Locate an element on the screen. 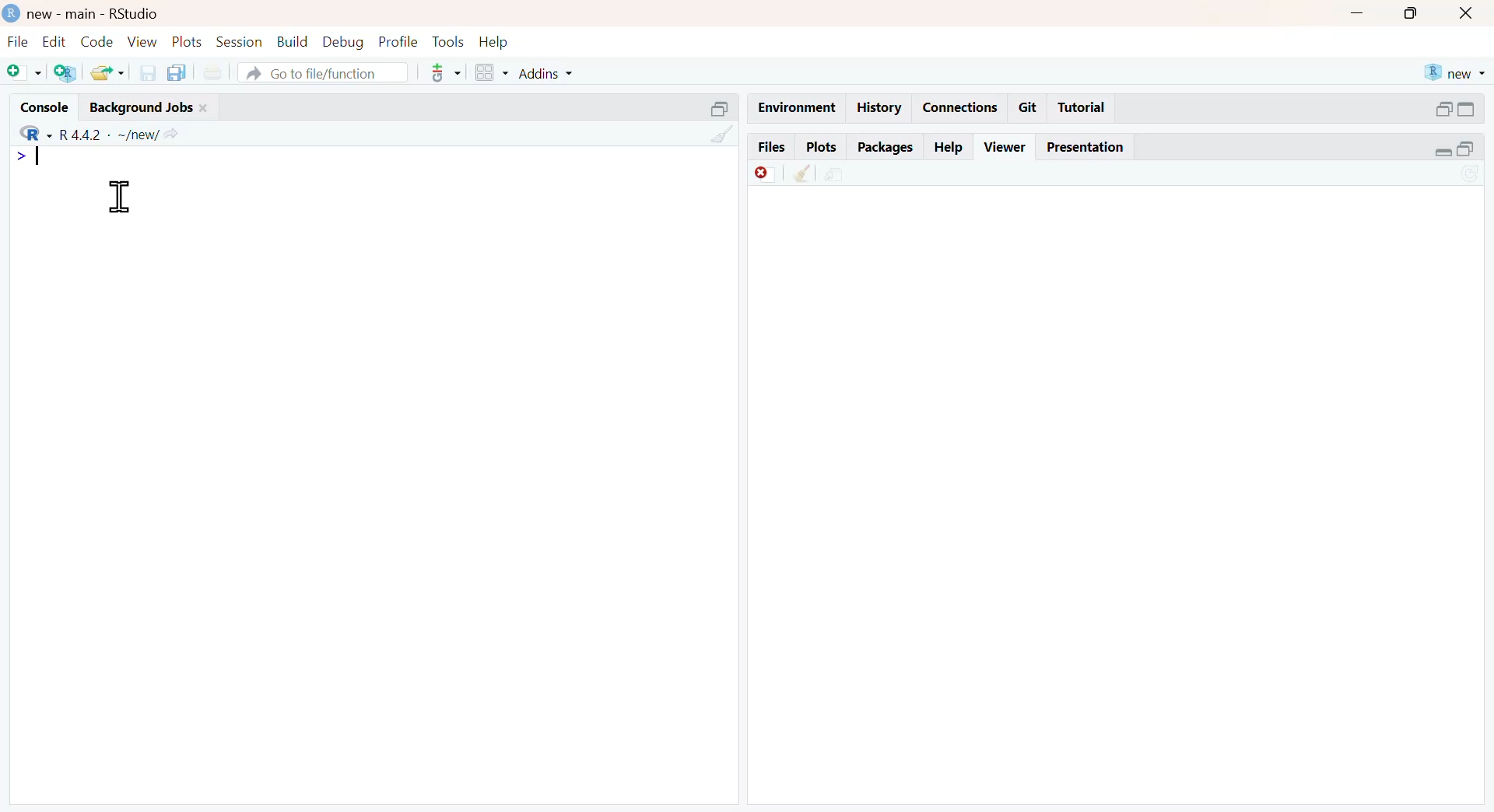 This screenshot has width=1494, height=812. viewer is located at coordinates (1007, 147).